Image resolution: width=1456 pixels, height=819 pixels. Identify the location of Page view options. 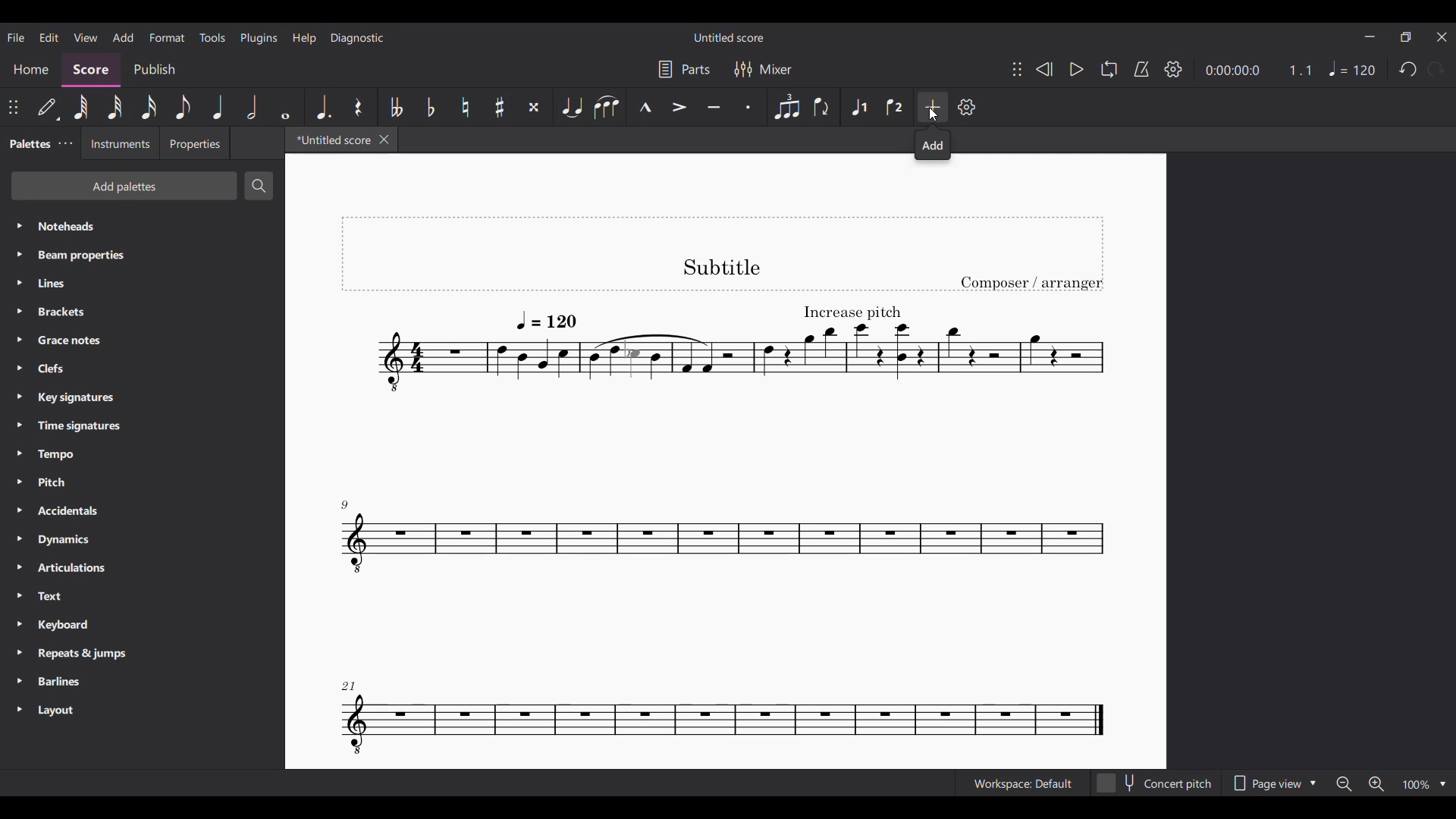
(1272, 783).